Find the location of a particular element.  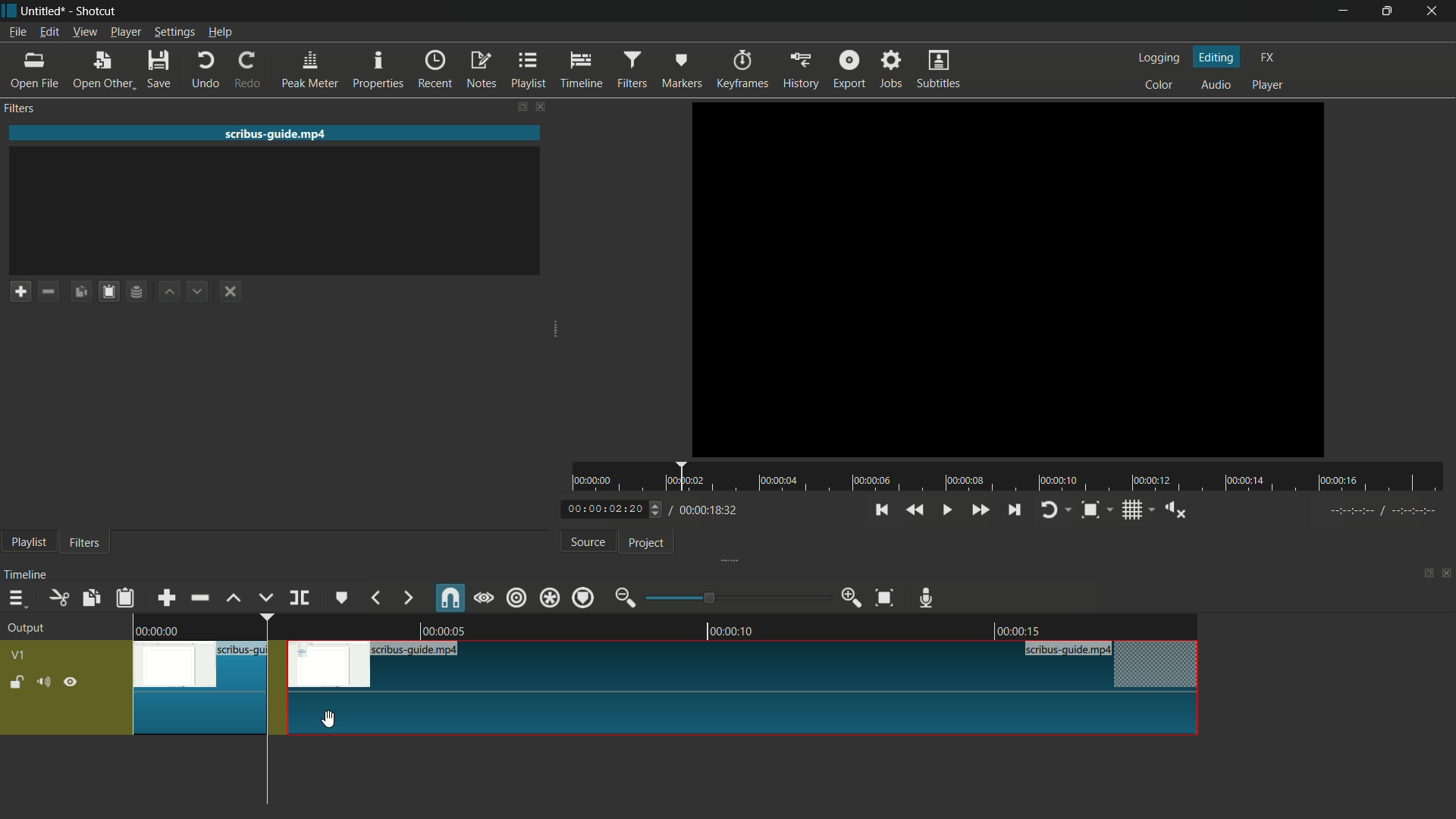

output is located at coordinates (26, 629).